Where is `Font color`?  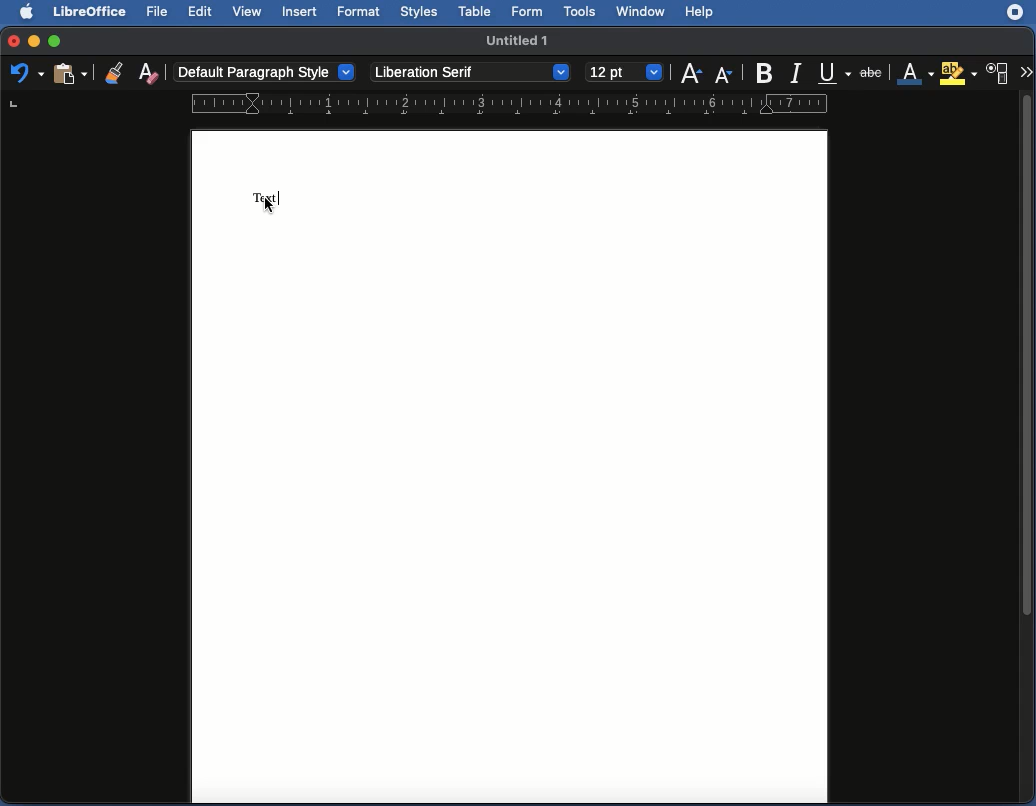 Font color is located at coordinates (915, 74).